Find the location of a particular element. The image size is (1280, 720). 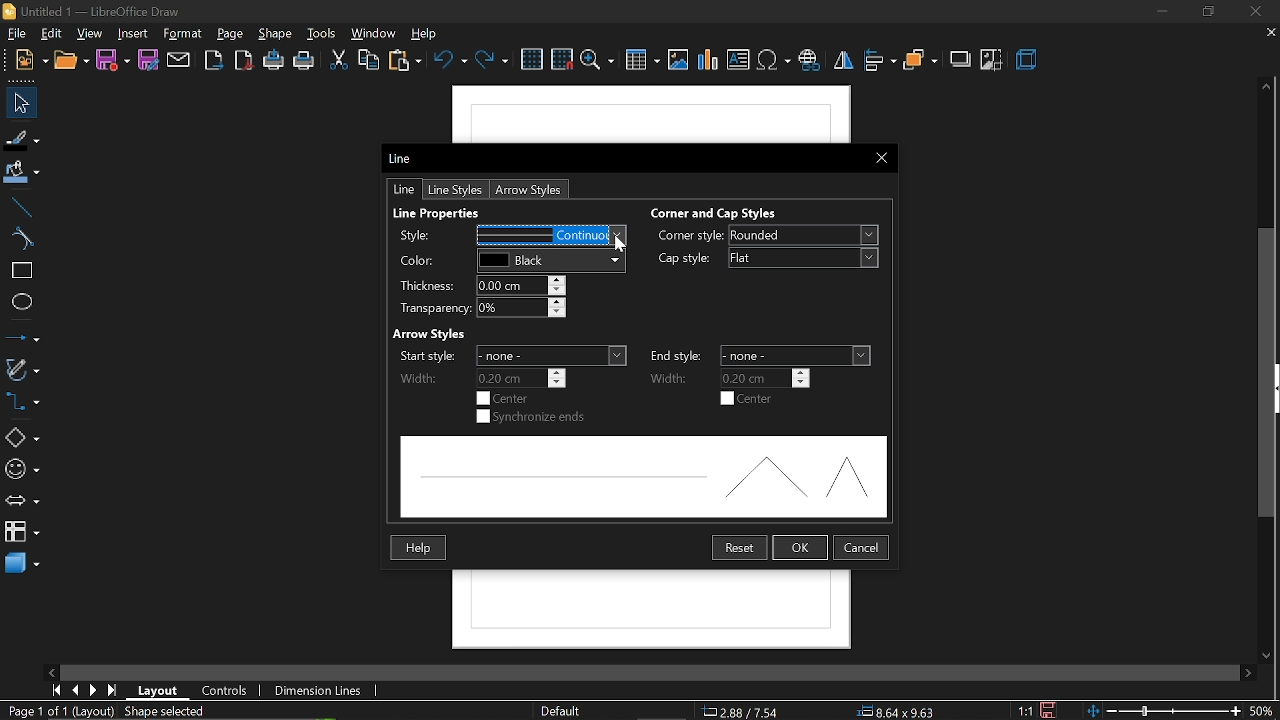

previous page is located at coordinates (77, 691).